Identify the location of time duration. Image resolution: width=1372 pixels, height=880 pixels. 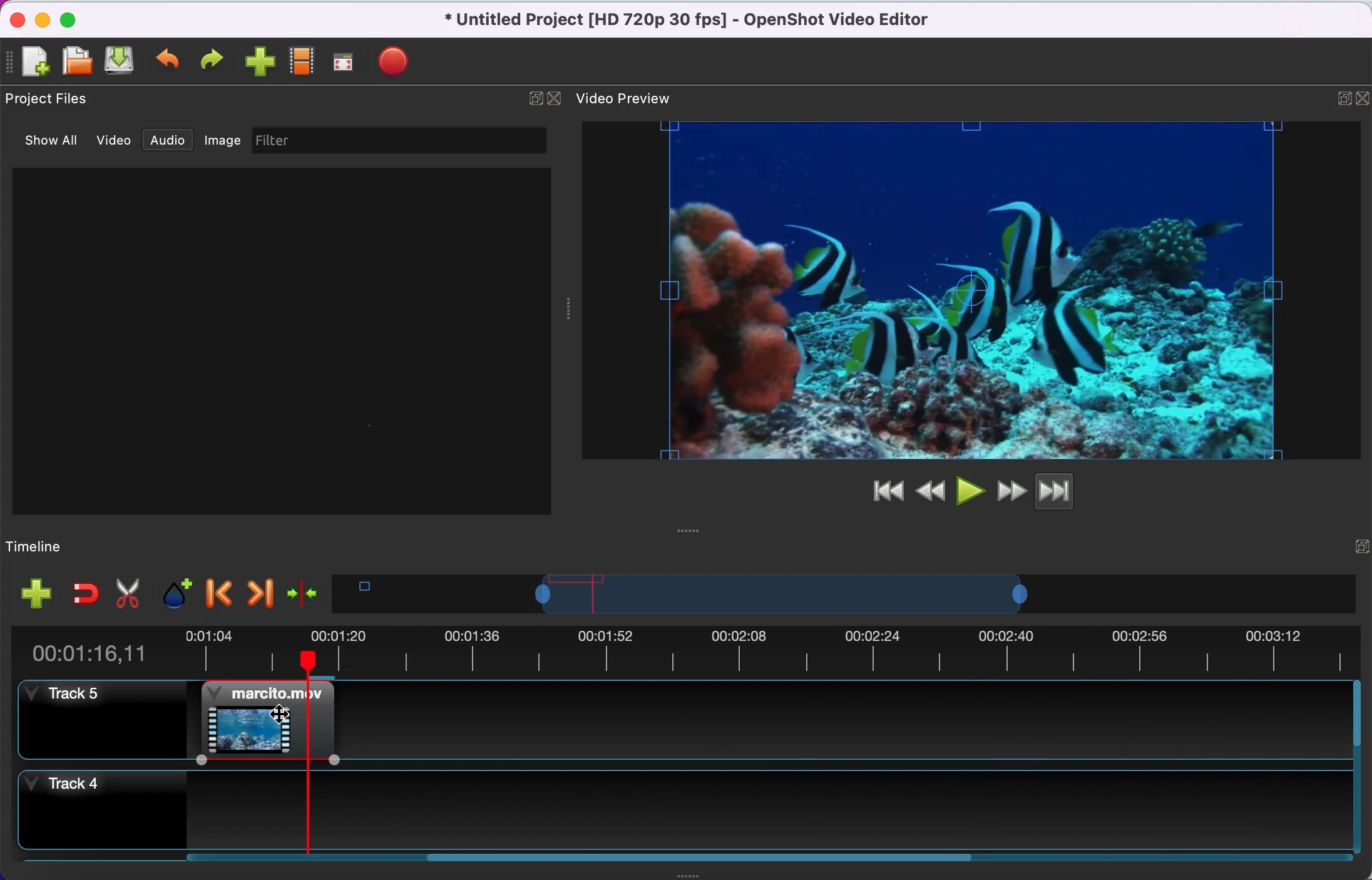
(677, 652).